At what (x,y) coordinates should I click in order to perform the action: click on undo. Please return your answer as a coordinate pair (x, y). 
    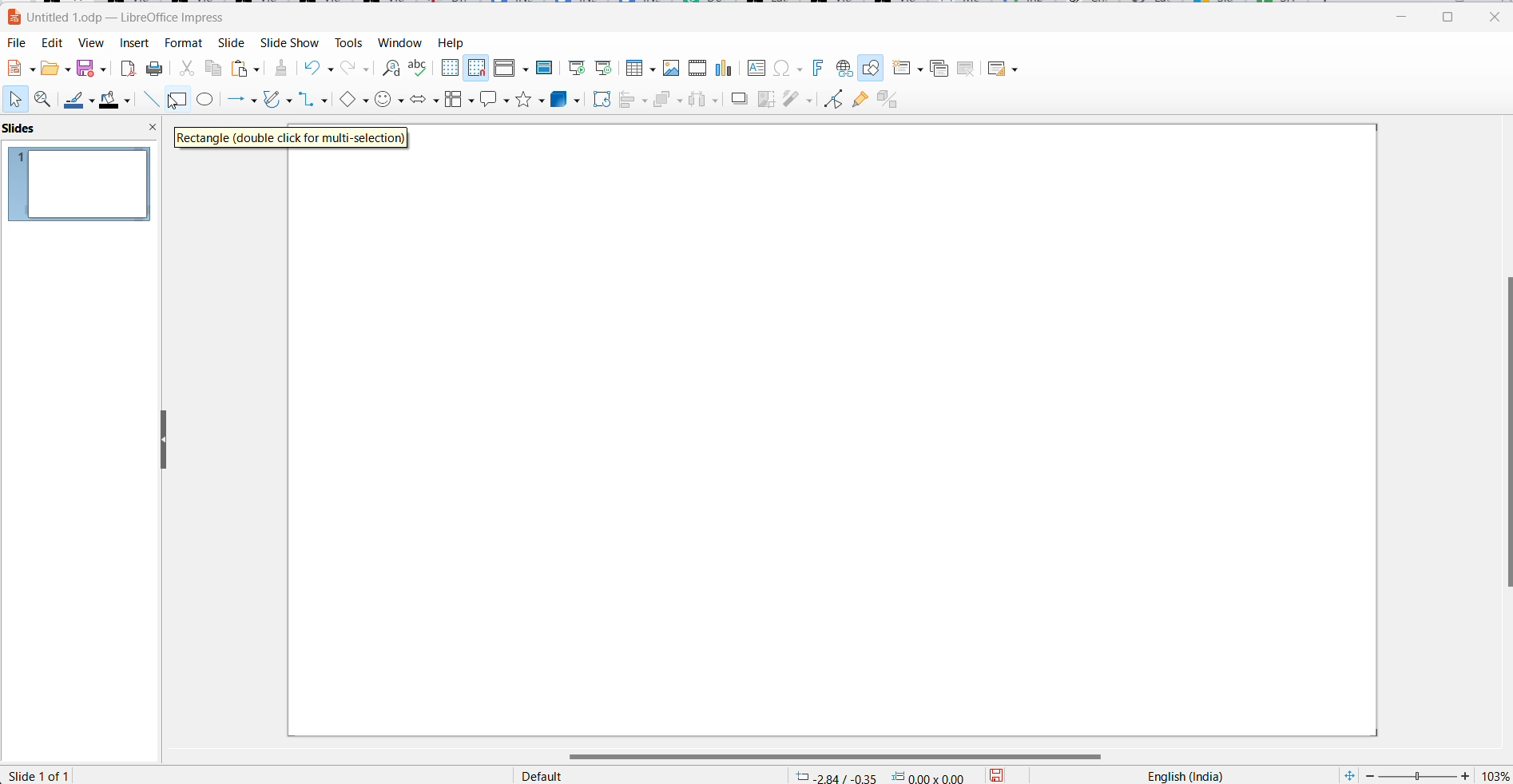
    Looking at the image, I should click on (323, 68).